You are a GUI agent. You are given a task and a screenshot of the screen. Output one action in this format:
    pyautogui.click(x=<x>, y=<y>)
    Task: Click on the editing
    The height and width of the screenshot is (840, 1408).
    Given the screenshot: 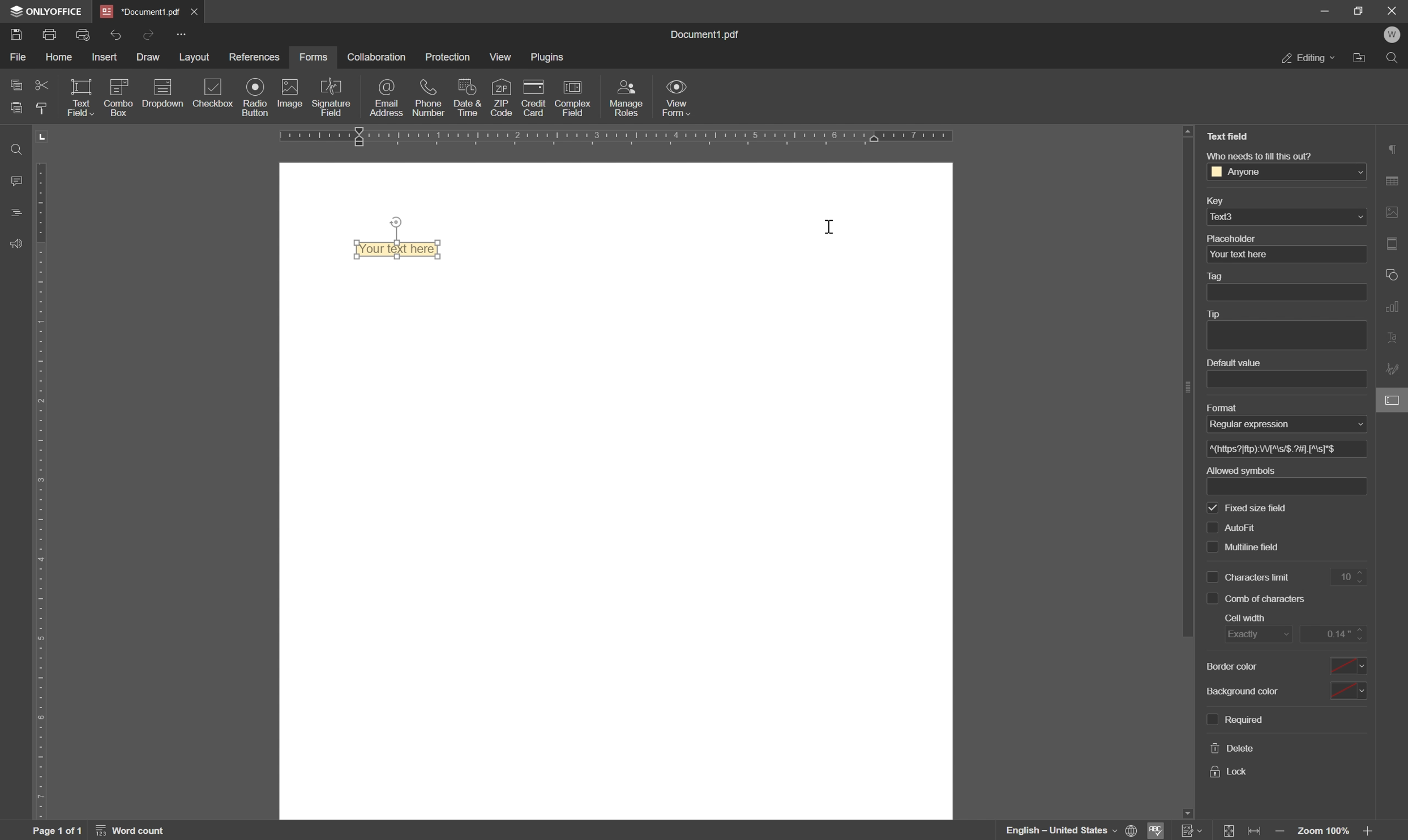 What is the action you would take?
    pyautogui.click(x=1308, y=59)
    